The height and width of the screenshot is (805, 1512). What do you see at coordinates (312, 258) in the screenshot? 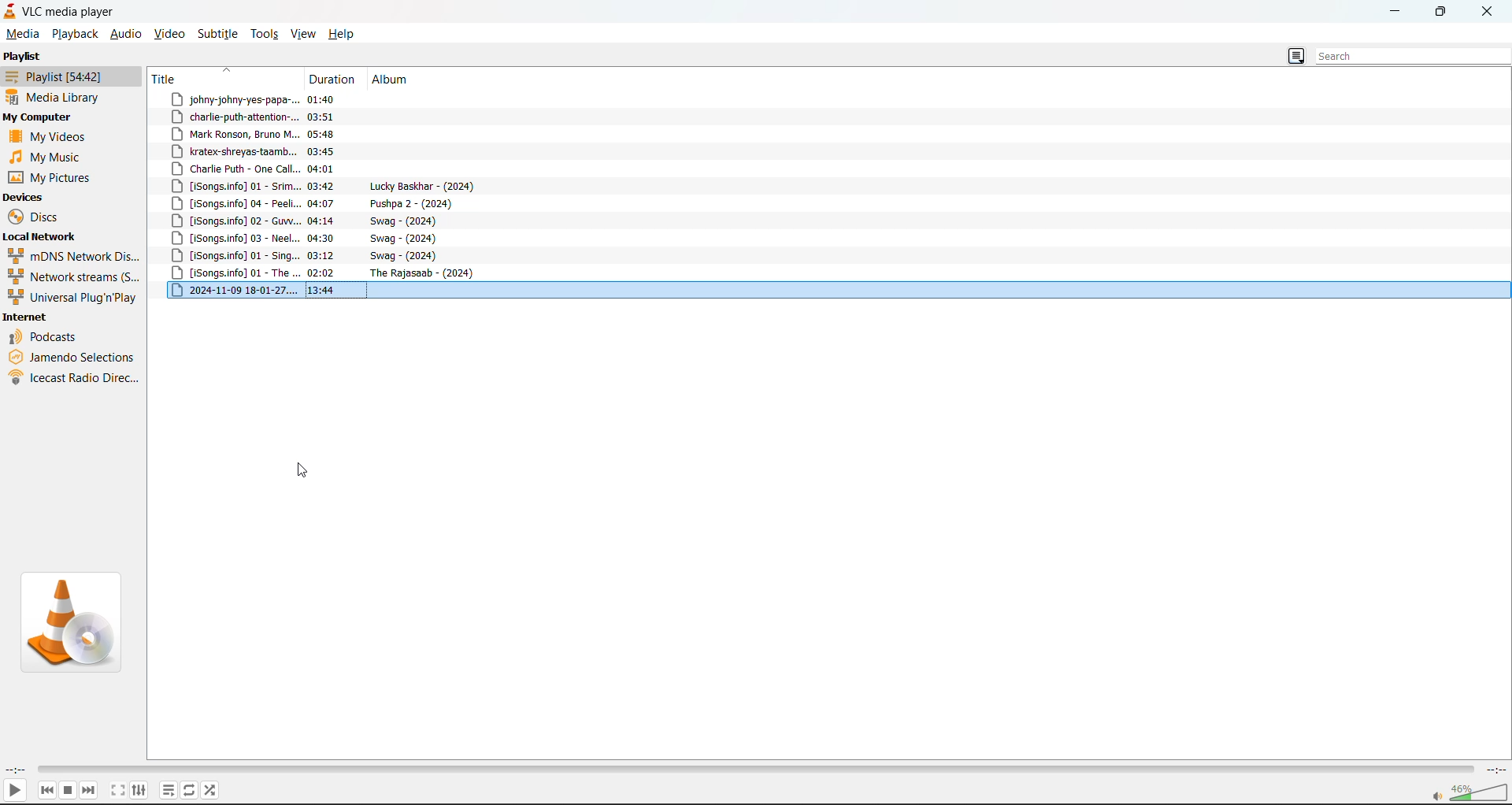
I see `track 10 title, duration and album details` at bounding box center [312, 258].